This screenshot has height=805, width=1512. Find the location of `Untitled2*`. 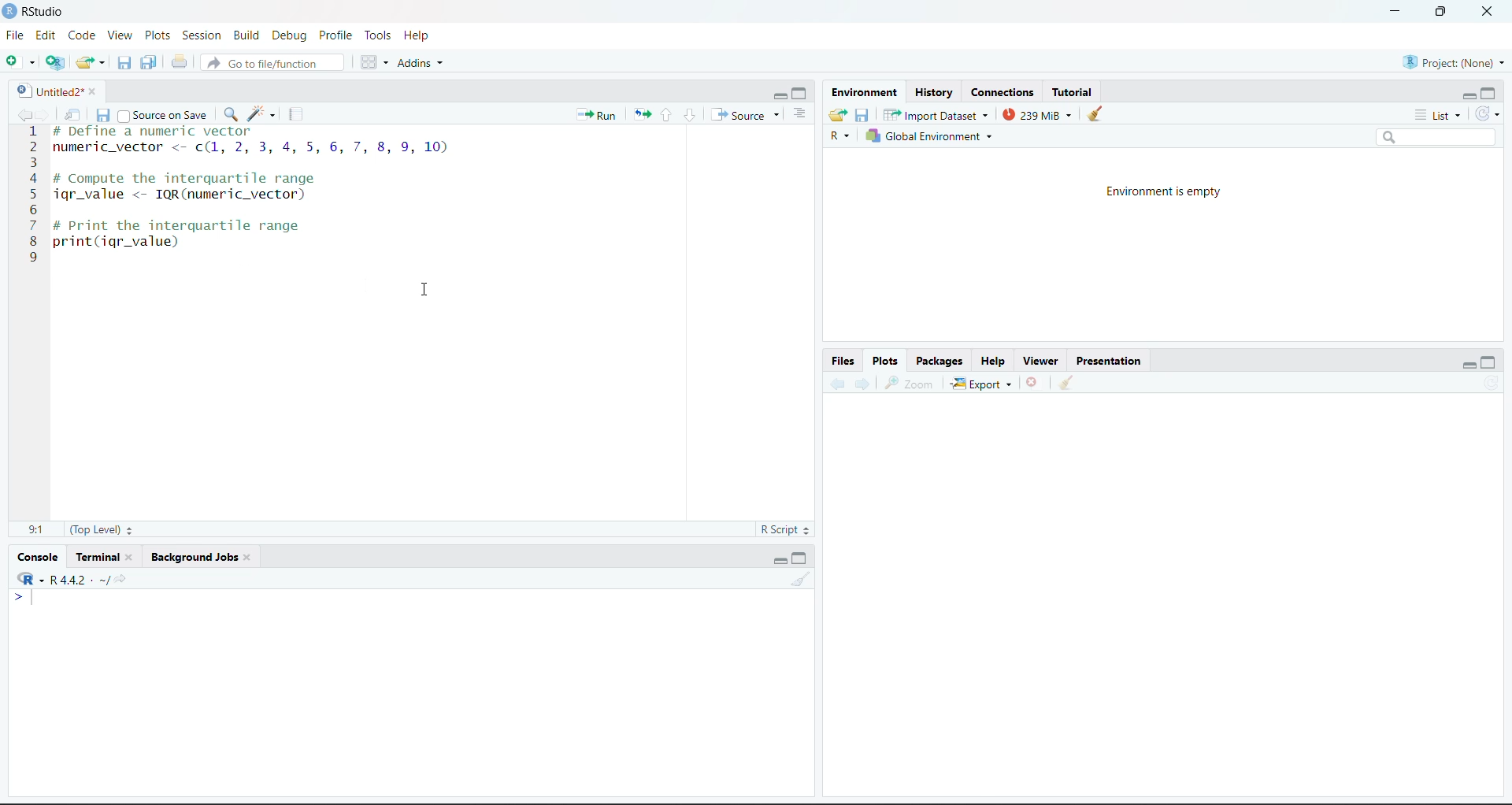

Untitled2* is located at coordinates (53, 89).